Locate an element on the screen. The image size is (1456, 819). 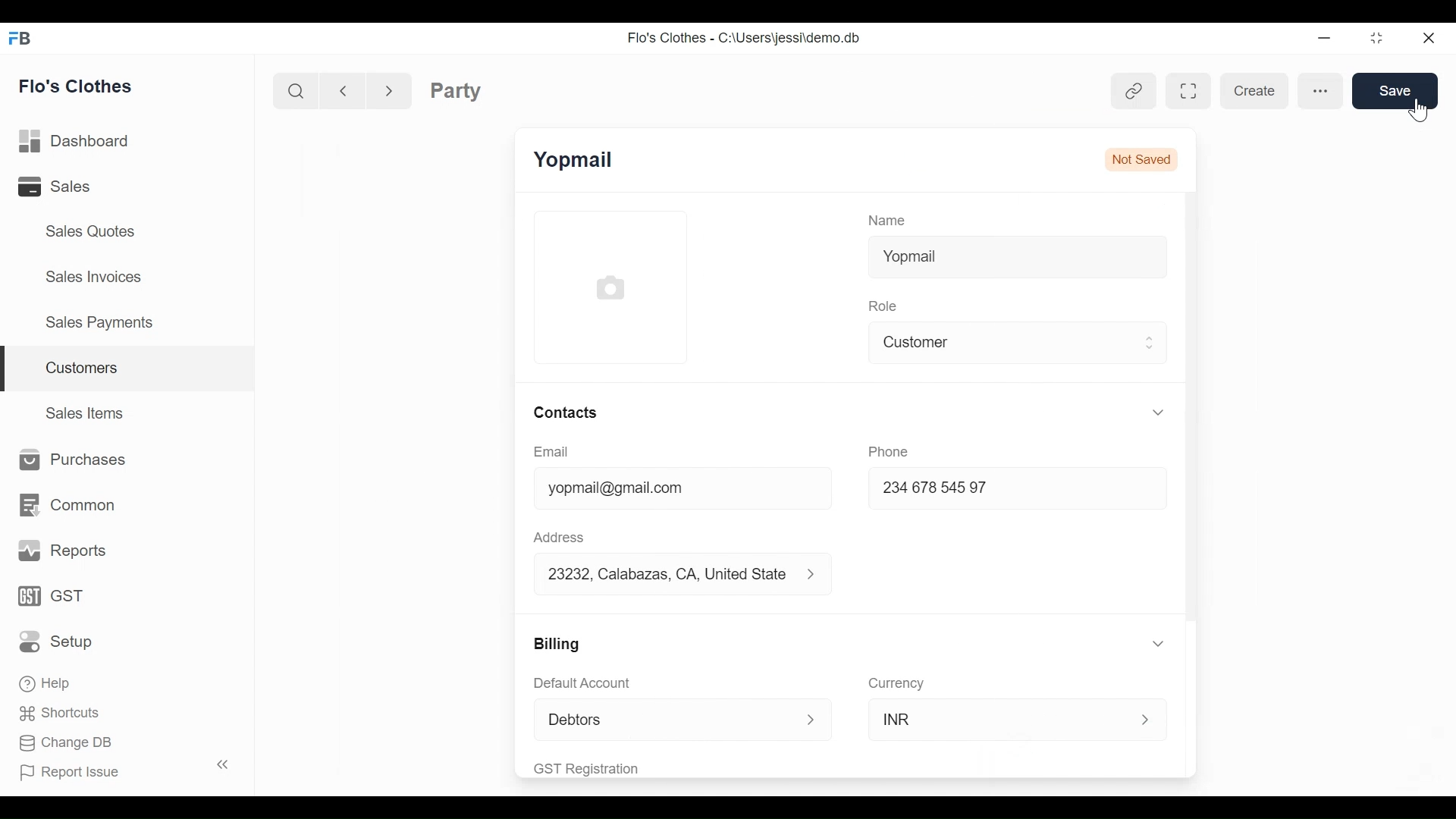
Expand is located at coordinates (821, 576).